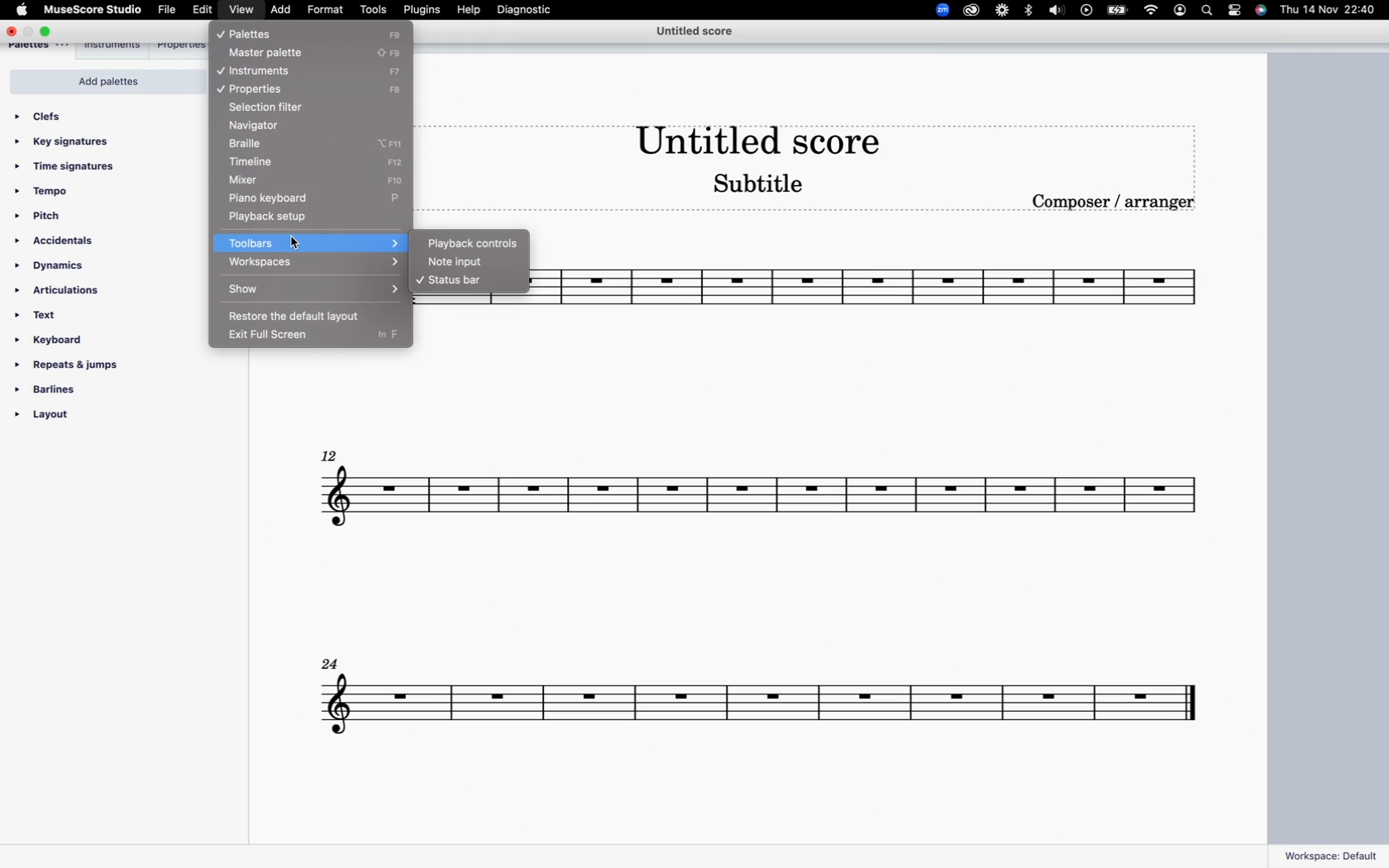  Describe the element at coordinates (70, 142) in the screenshot. I see `key signatures` at that location.